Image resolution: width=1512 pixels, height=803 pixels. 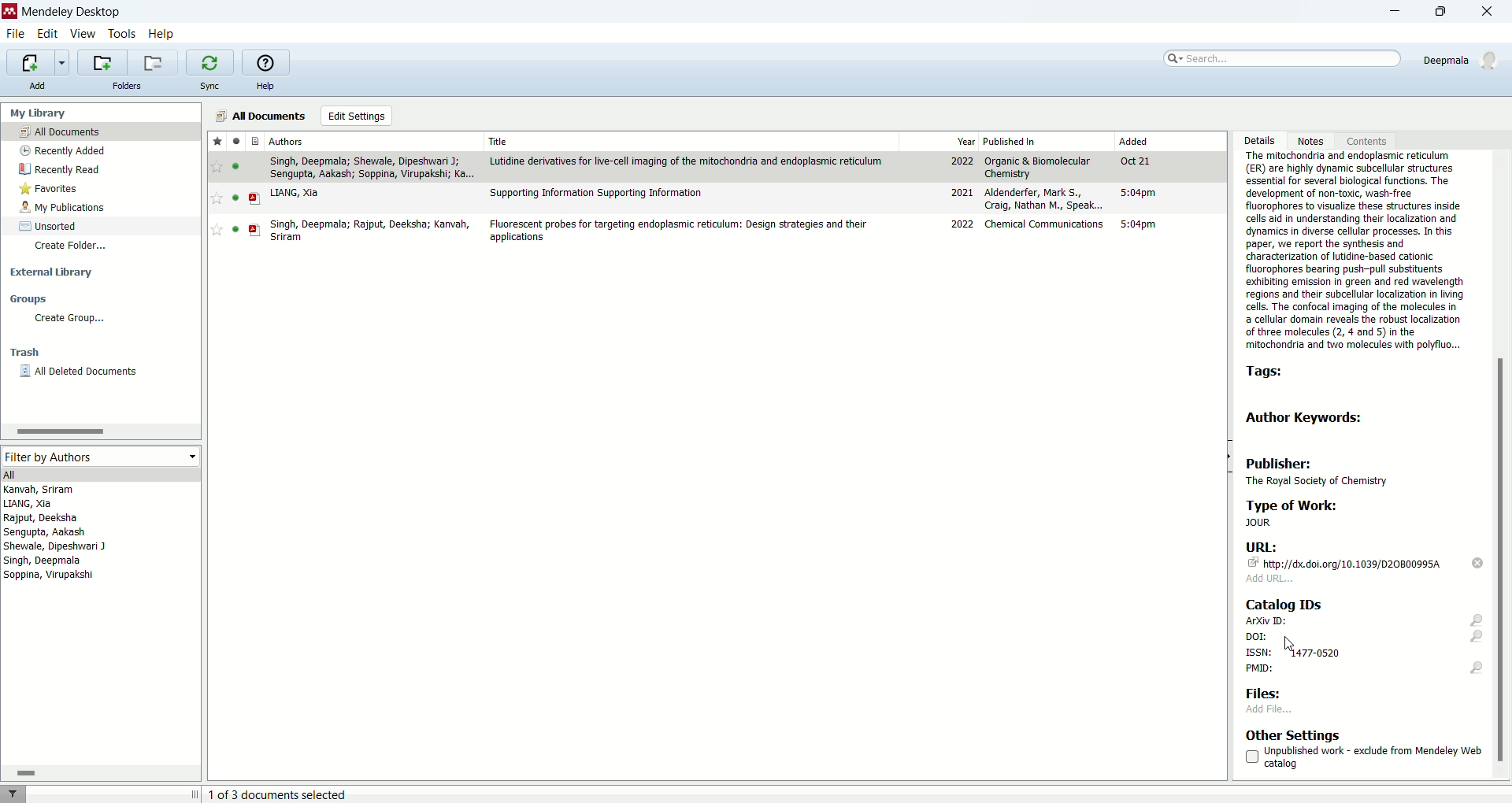 What do you see at coordinates (235, 166) in the screenshot?
I see `unread` at bounding box center [235, 166].